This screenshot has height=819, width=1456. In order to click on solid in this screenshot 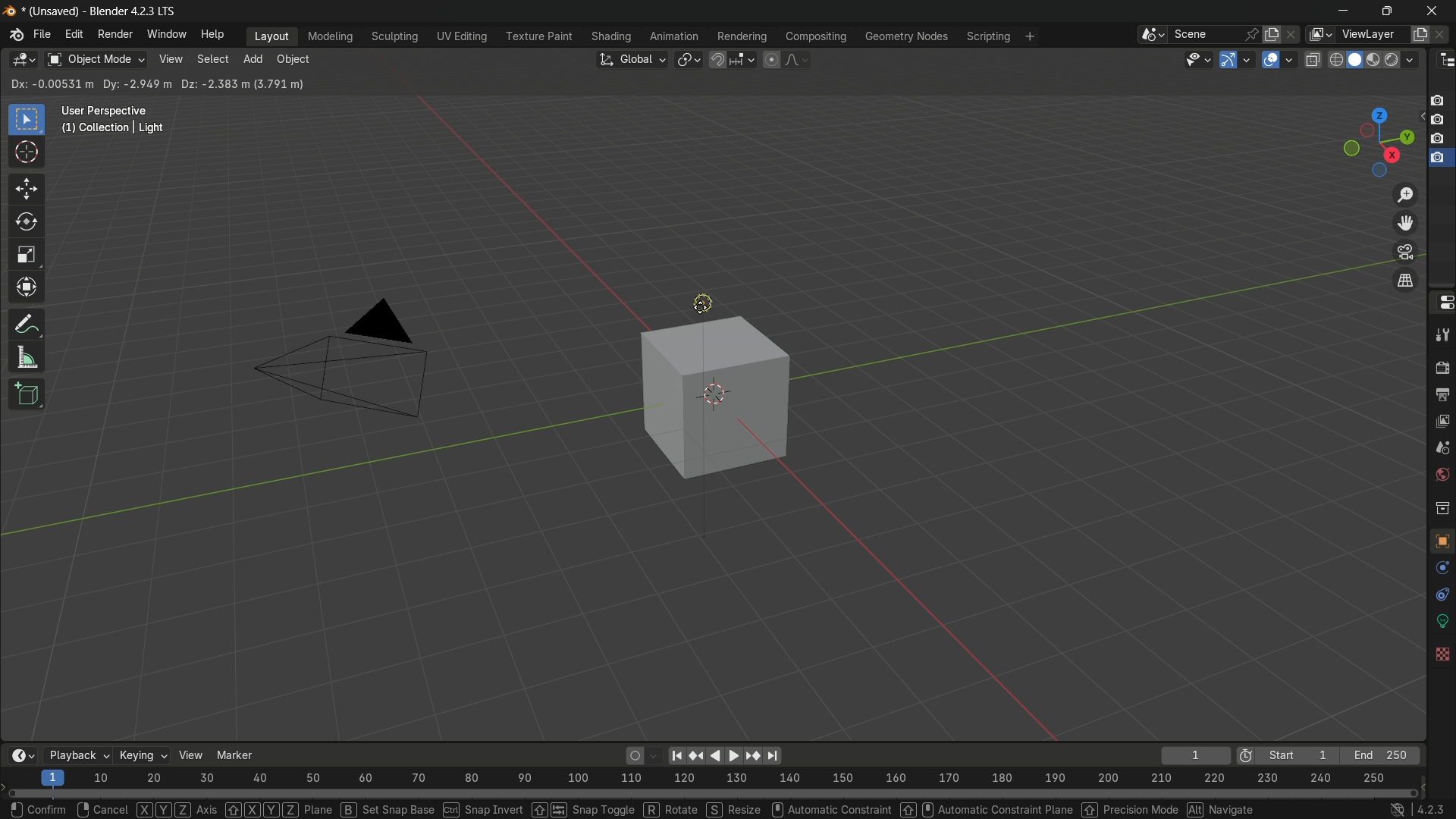, I will do `click(1354, 61)`.